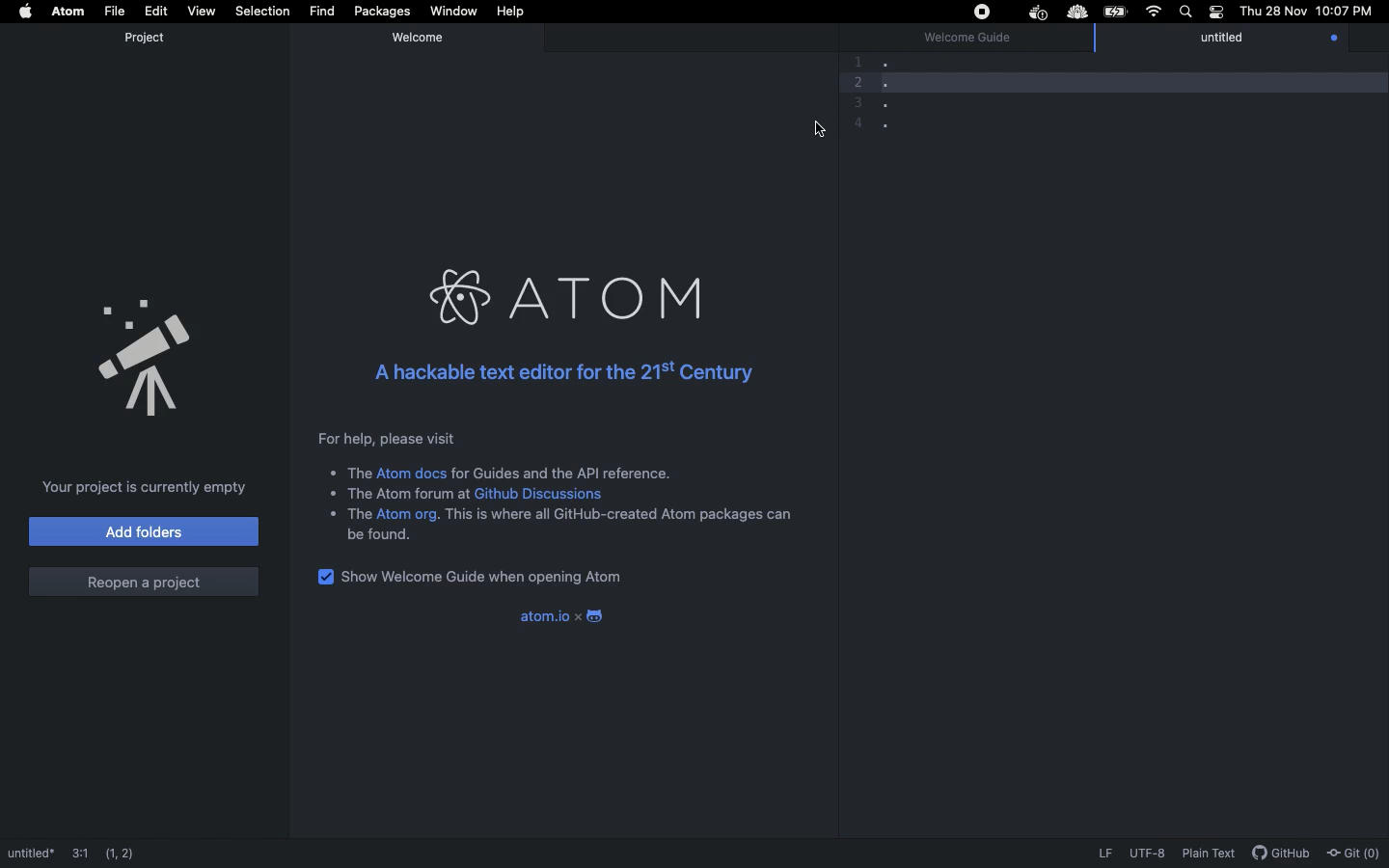 The image size is (1389, 868). Describe the element at coordinates (533, 615) in the screenshot. I see `atom.io` at that location.